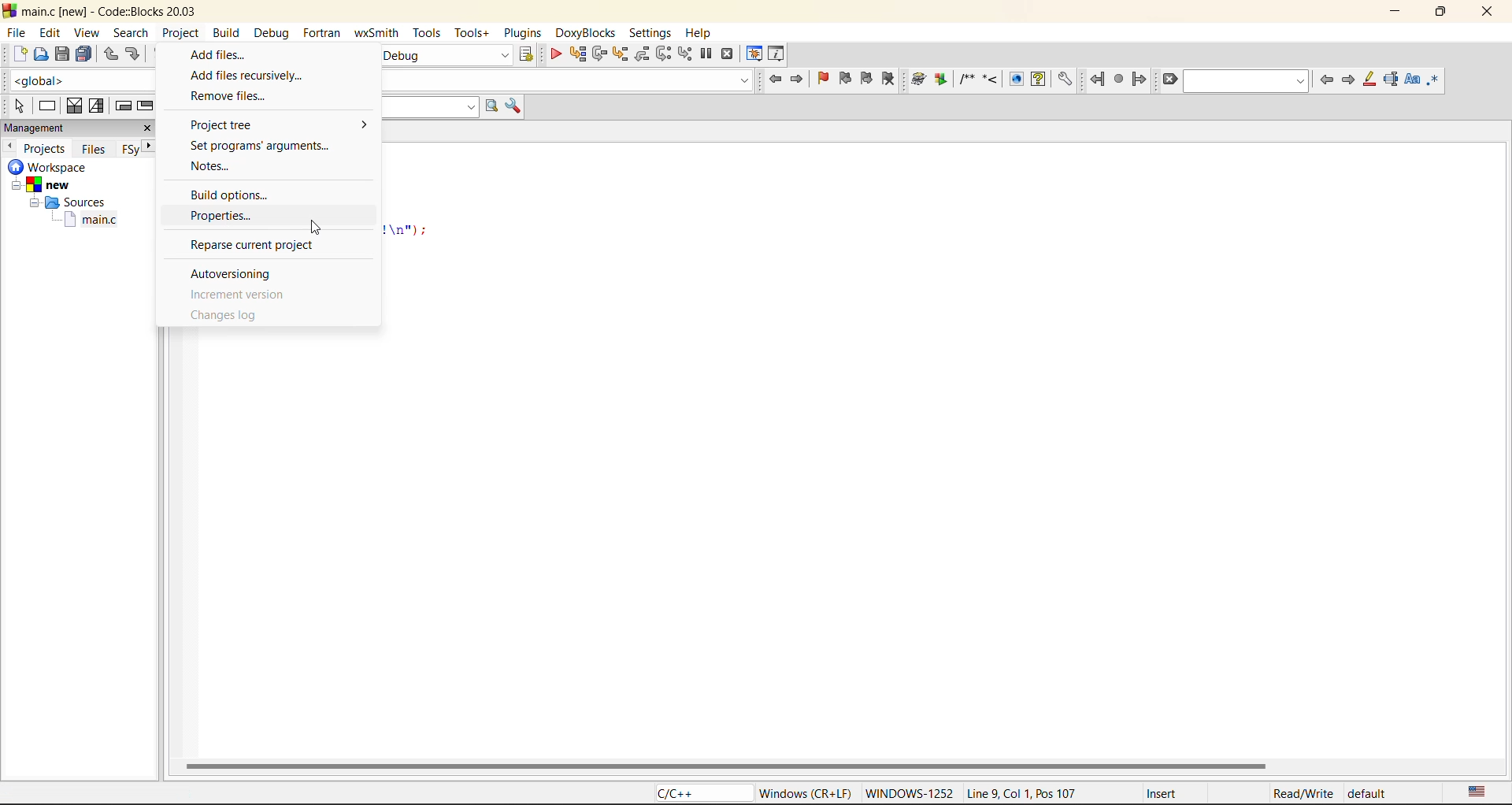 This screenshot has width=1512, height=805. Describe the element at coordinates (1412, 81) in the screenshot. I see `match case` at that location.